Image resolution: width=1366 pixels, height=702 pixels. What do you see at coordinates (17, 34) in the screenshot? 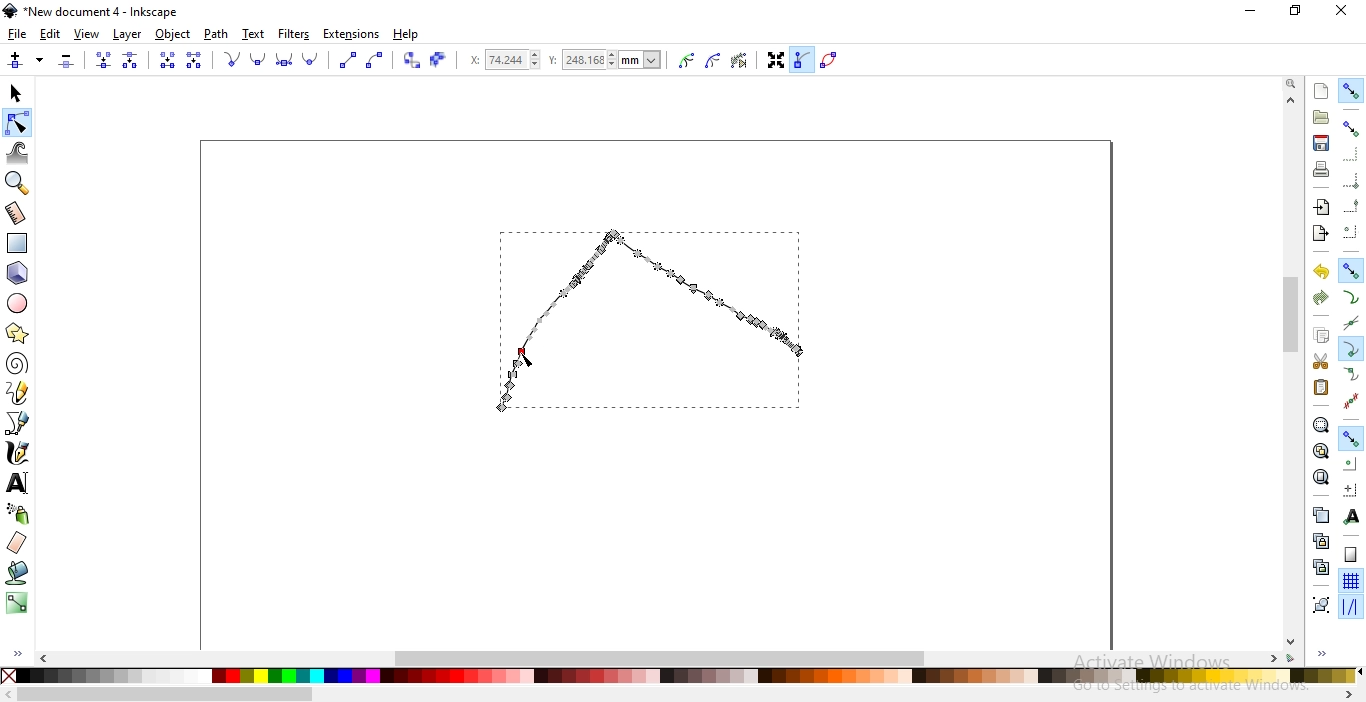
I see `file` at bounding box center [17, 34].